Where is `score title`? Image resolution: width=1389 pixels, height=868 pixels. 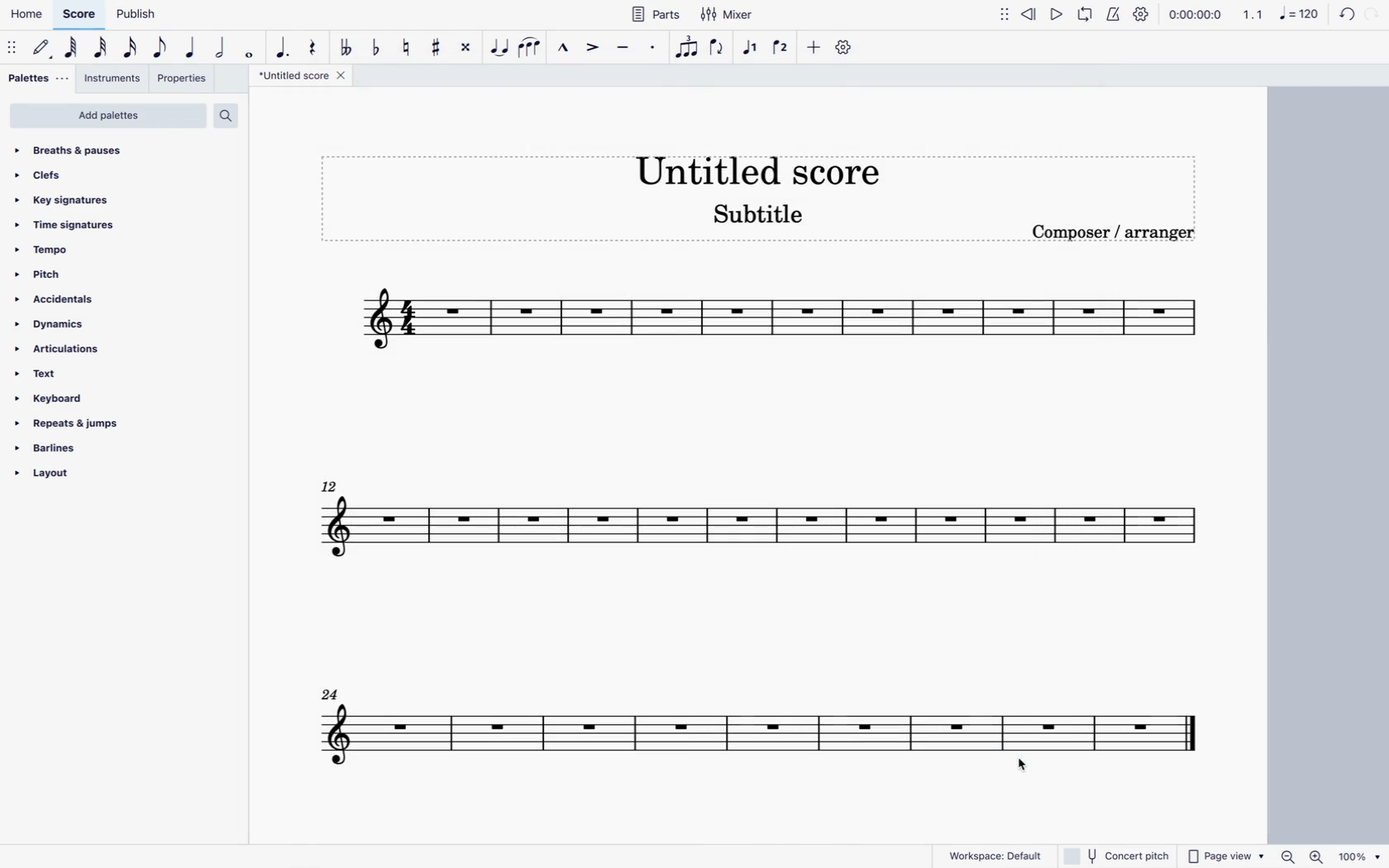 score title is located at coordinates (764, 162).